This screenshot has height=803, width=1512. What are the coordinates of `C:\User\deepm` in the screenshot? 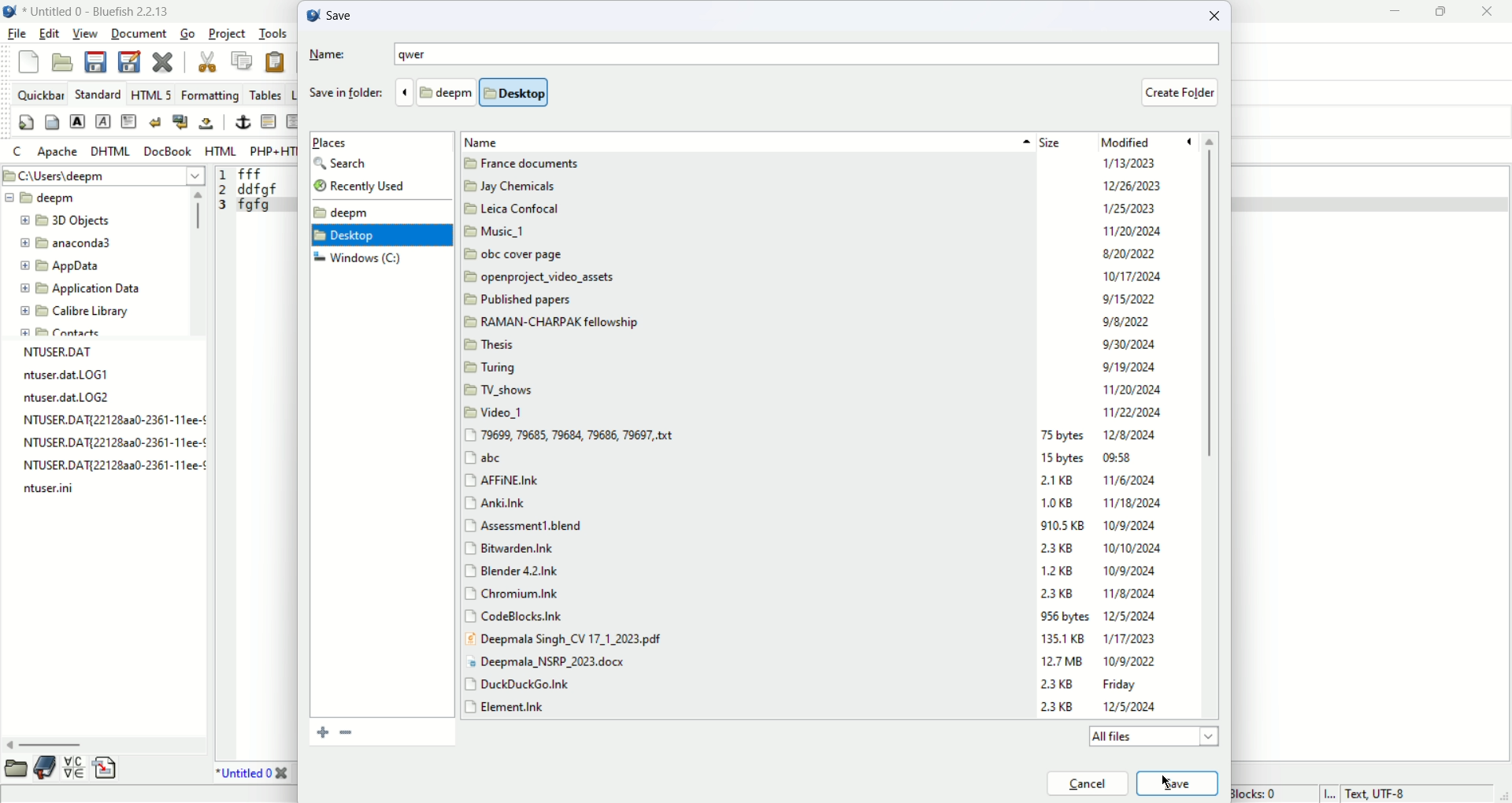 It's located at (104, 176).